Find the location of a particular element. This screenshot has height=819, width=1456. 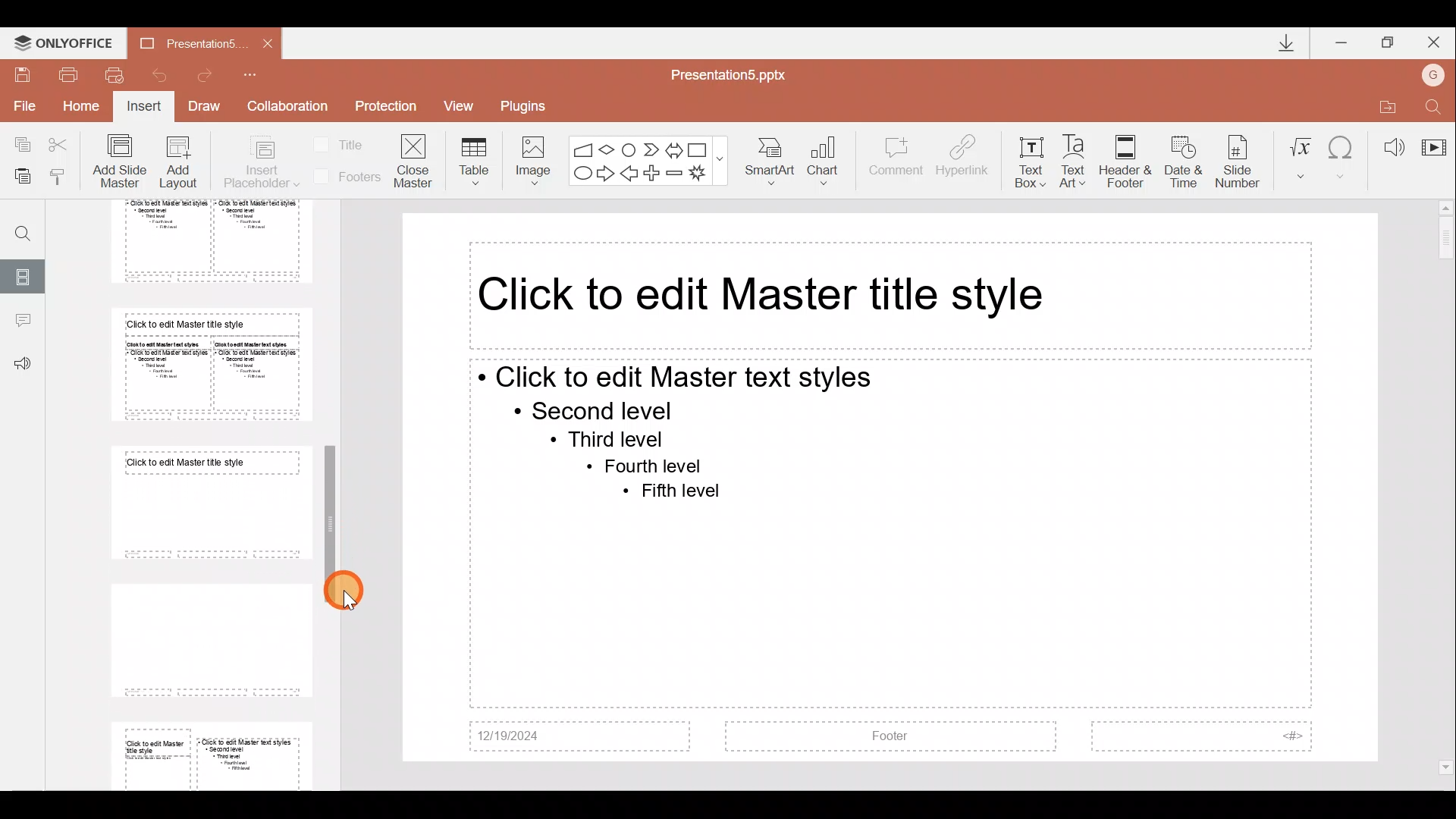

Insert placeholder is located at coordinates (260, 163).